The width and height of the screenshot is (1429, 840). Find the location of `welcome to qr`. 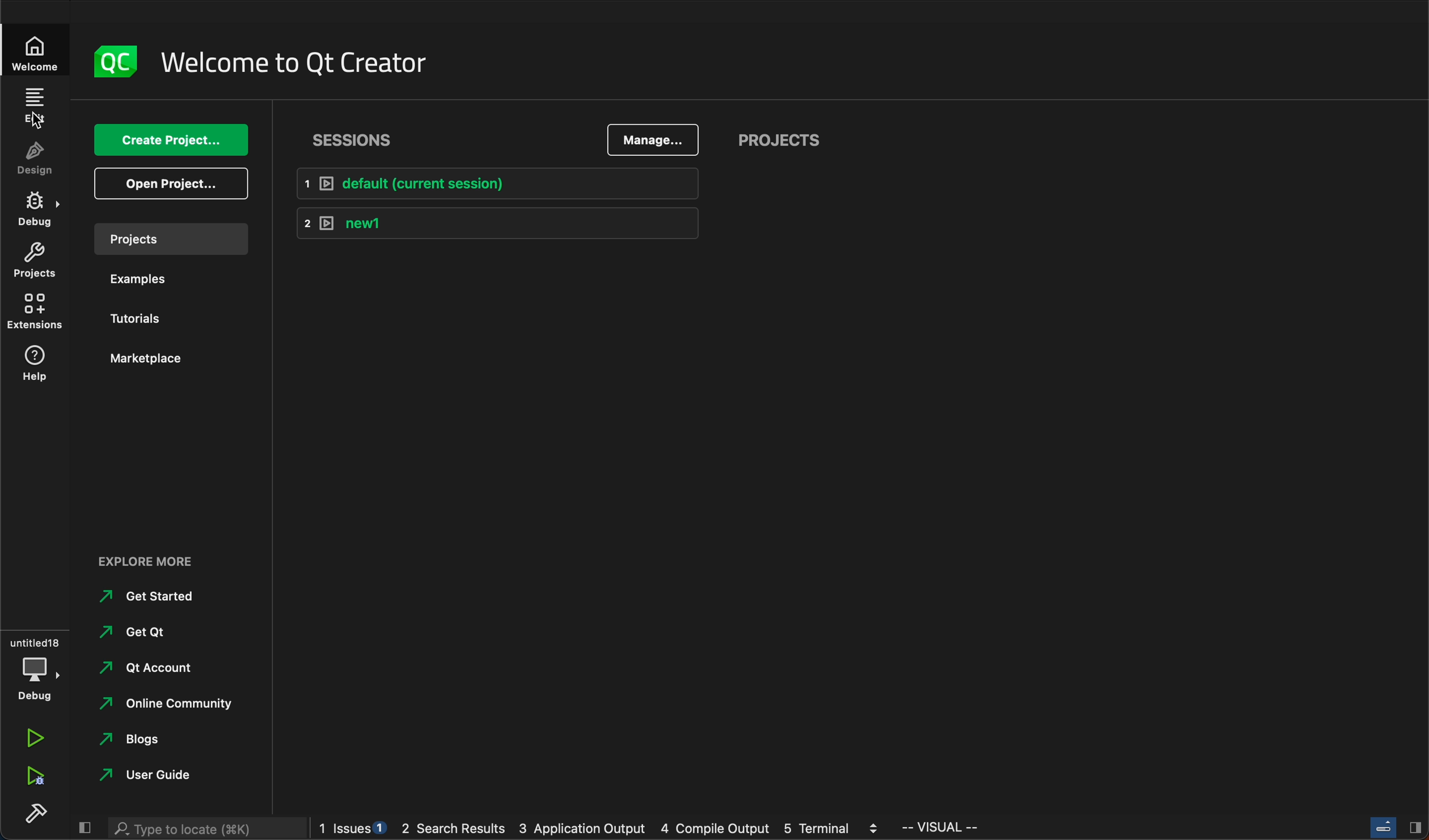

welcome to qr is located at coordinates (288, 61).